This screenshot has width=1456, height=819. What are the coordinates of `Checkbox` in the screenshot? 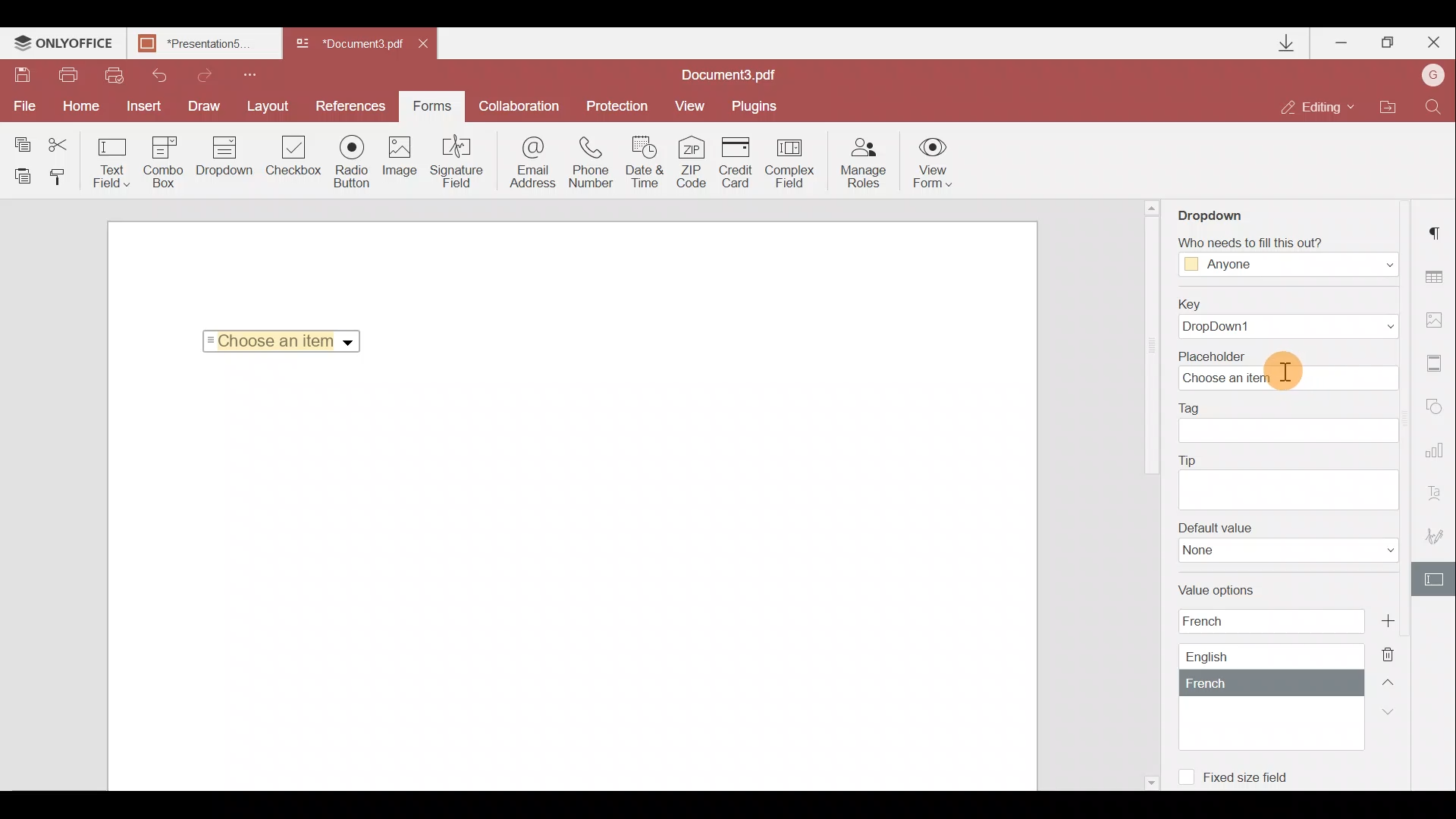 It's located at (291, 158).